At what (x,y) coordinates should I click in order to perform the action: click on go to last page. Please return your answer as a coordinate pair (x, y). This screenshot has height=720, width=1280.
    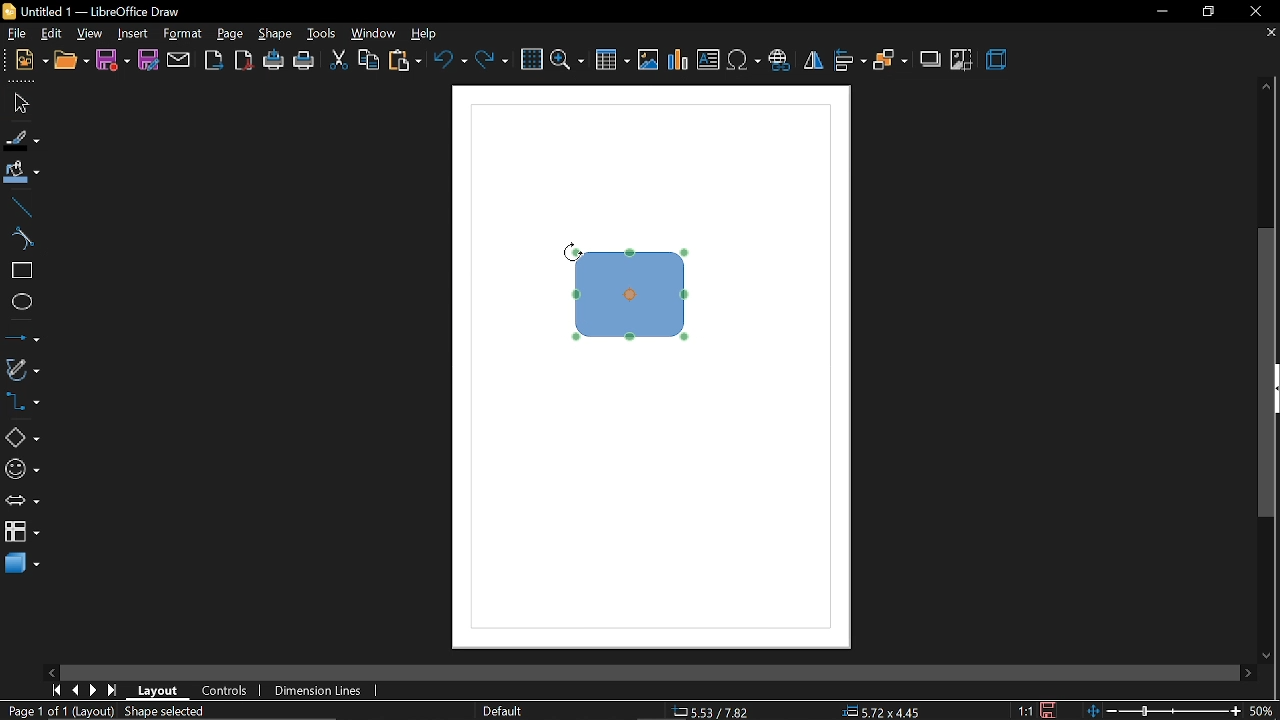
    Looking at the image, I should click on (114, 691).